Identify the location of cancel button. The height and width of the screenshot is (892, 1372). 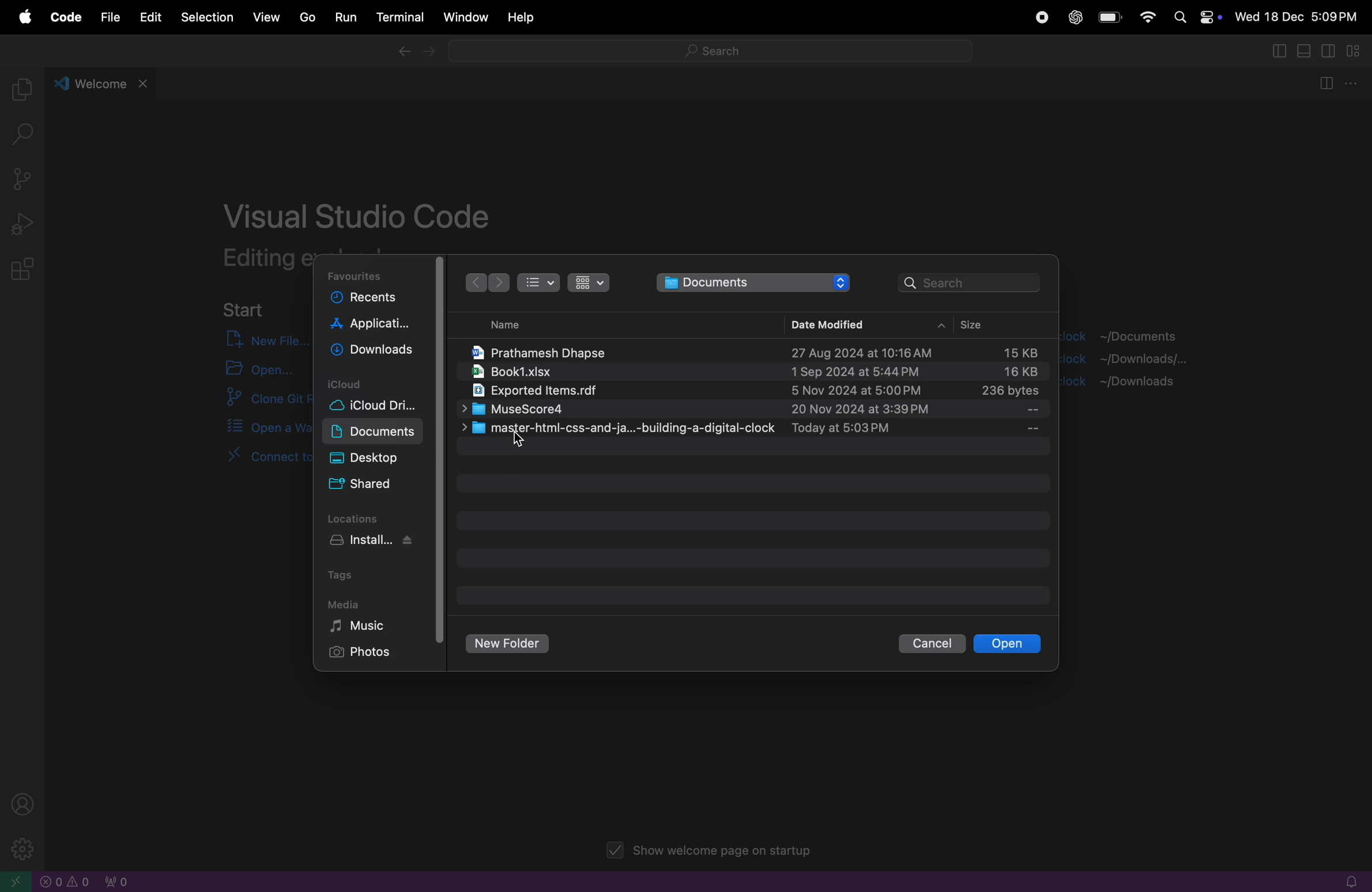
(930, 644).